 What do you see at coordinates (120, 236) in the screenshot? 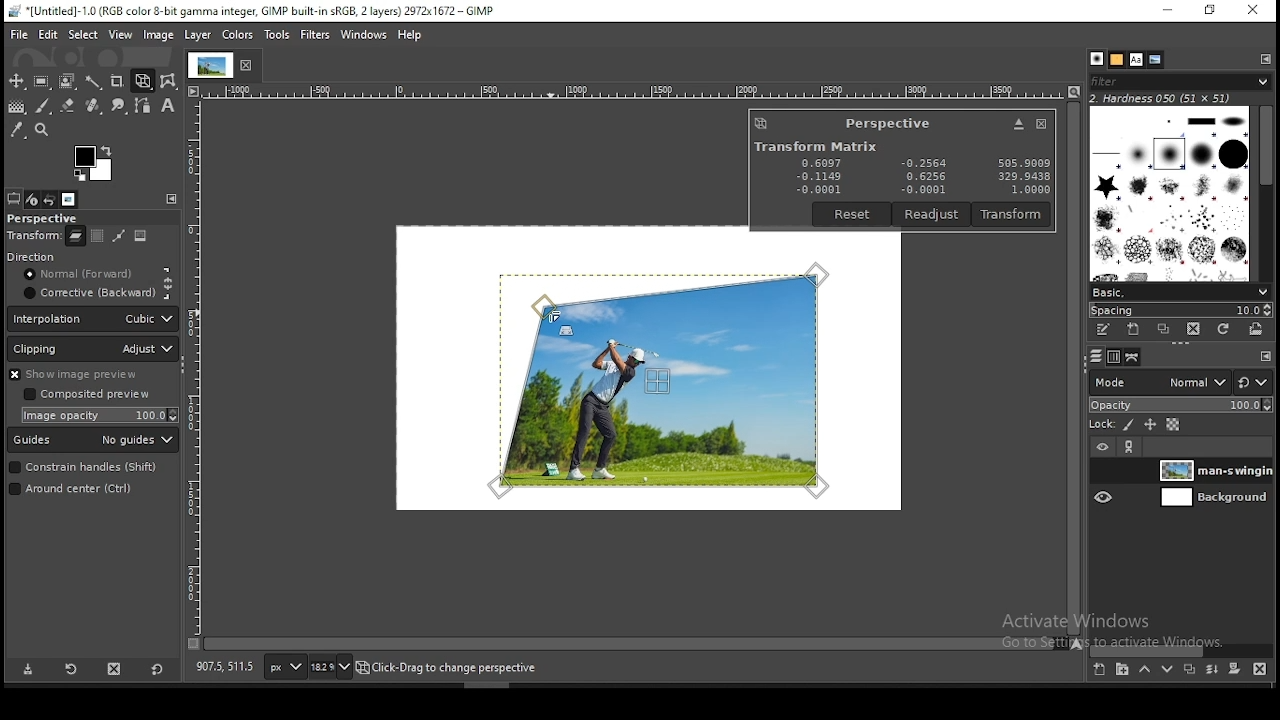
I see `selection` at bounding box center [120, 236].